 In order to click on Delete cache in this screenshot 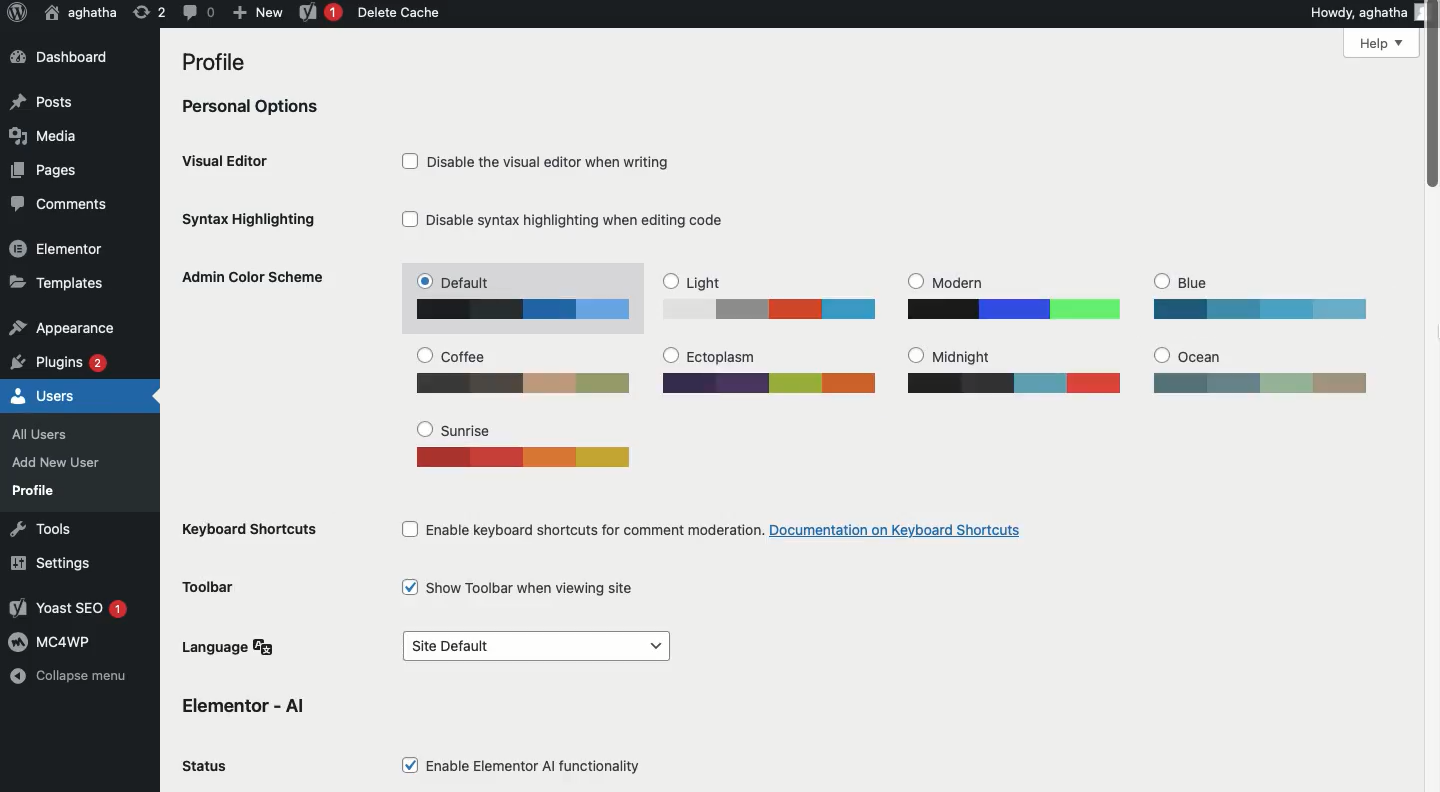, I will do `click(398, 12)`.